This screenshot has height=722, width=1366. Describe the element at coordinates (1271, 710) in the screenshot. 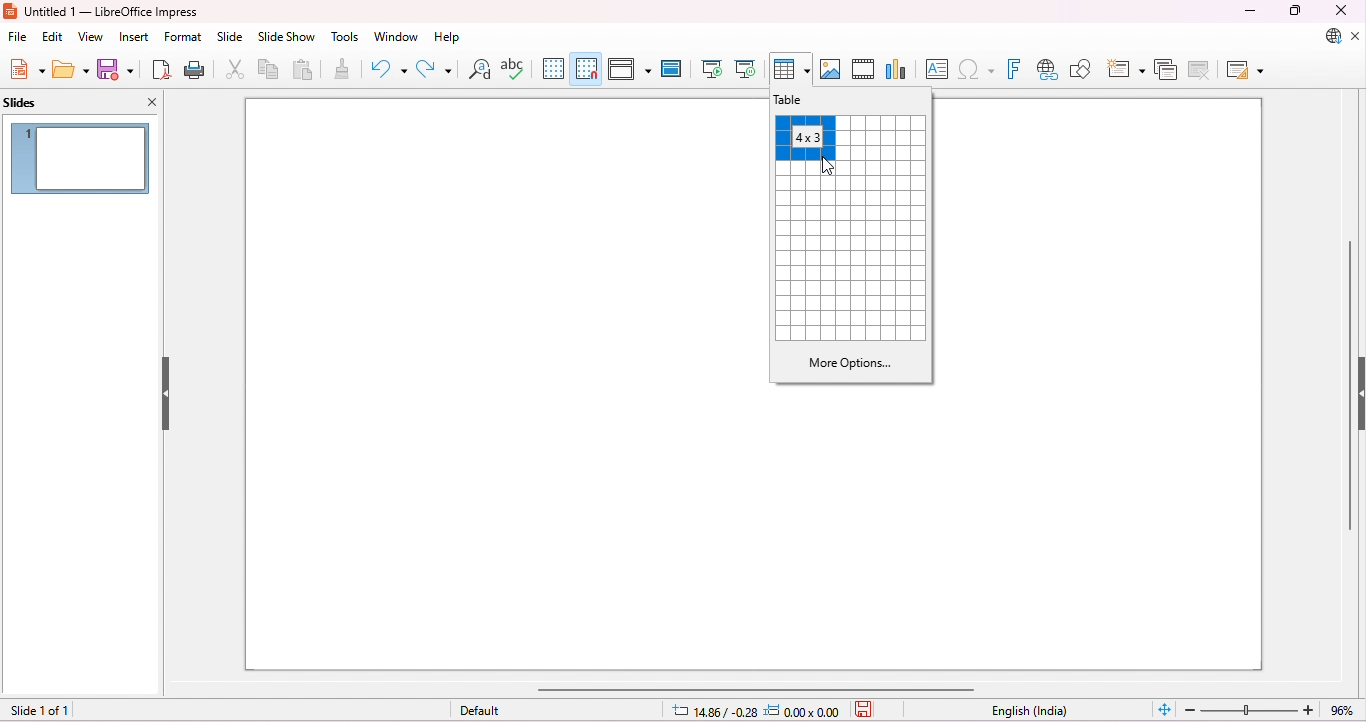

I see `zoom` at that location.